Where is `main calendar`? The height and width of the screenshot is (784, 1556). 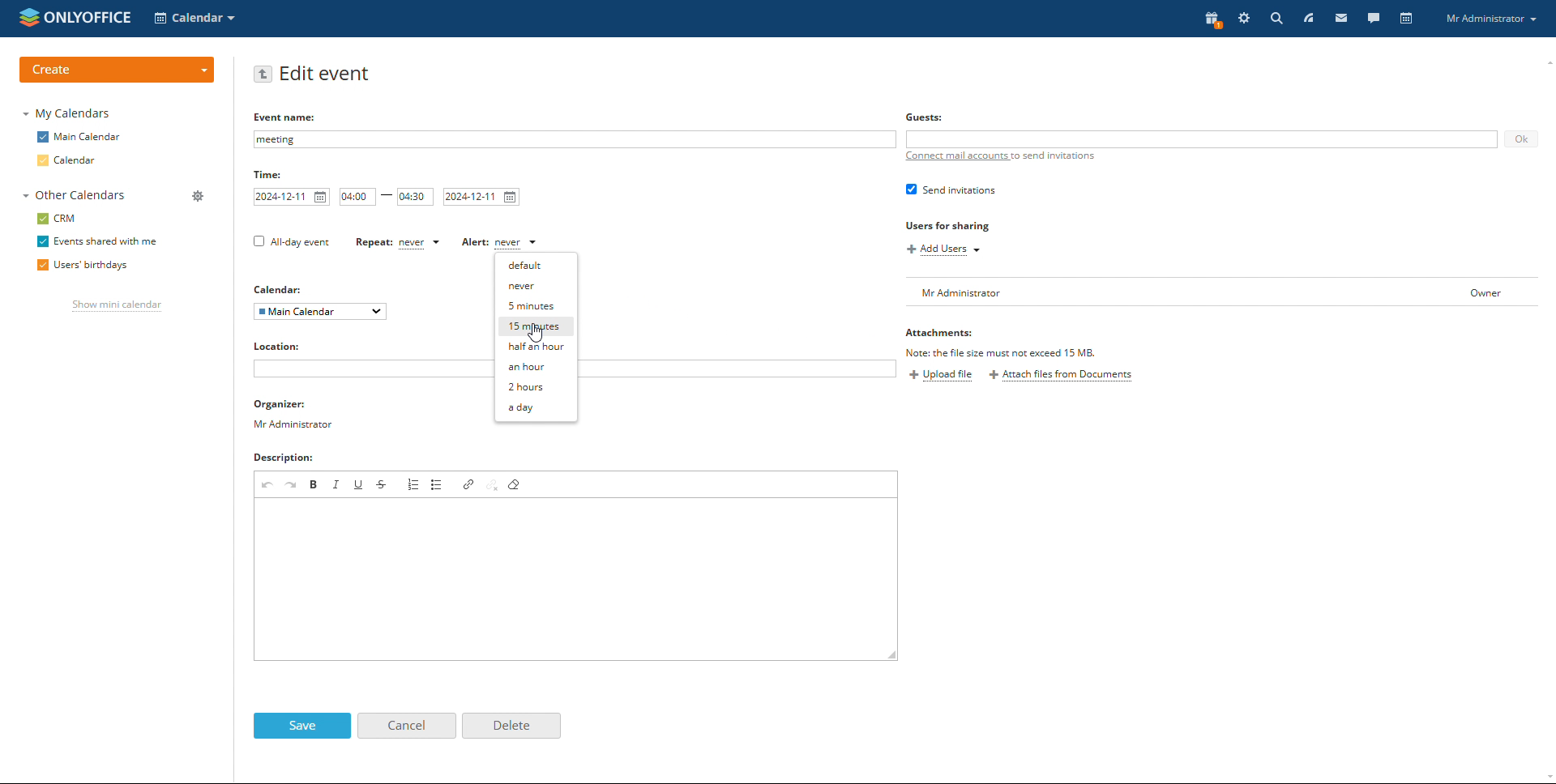
main calendar is located at coordinates (79, 137).